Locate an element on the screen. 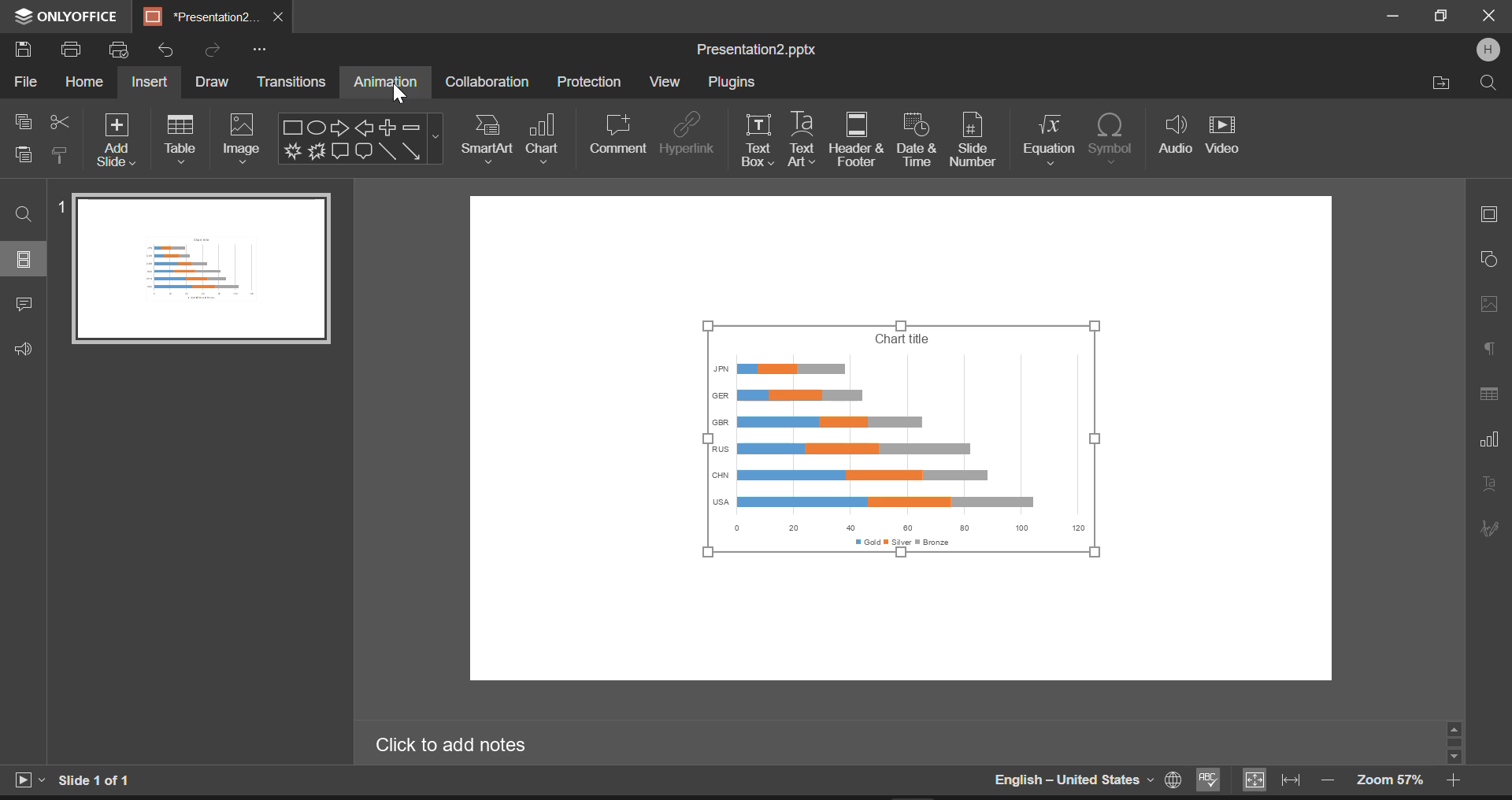 The image size is (1512, 800). ONLYOFFICE is located at coordinates (63, 17).